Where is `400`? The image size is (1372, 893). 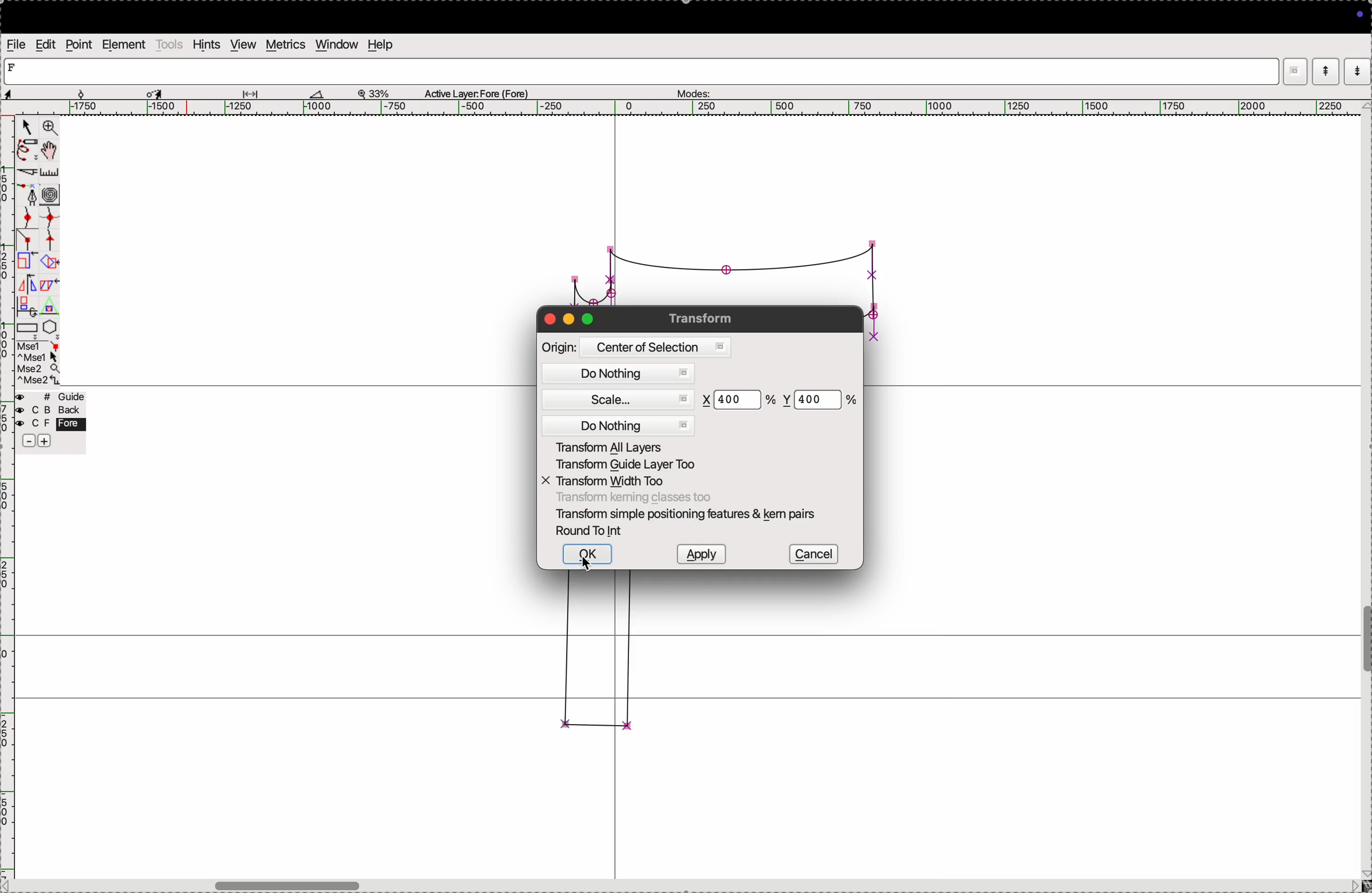 400 is located at coordinates (733, 400).